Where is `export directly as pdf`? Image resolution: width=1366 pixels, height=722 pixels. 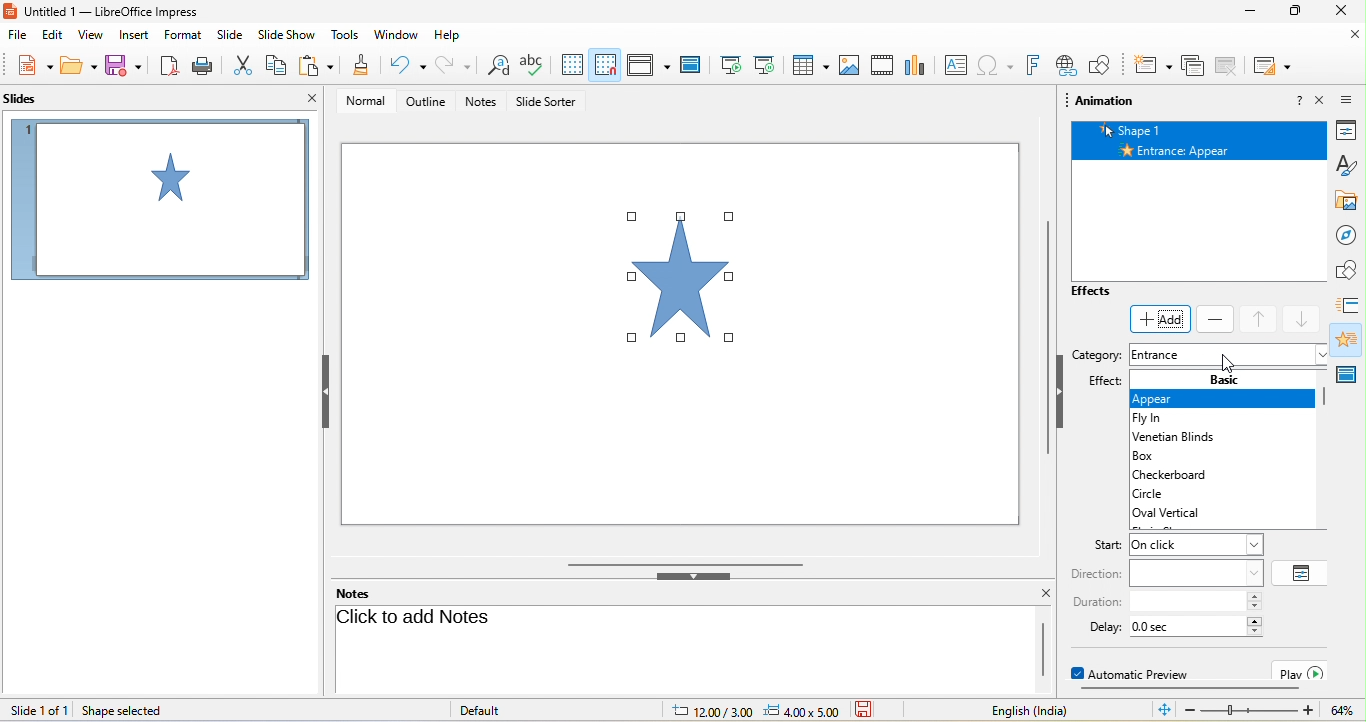
export directly as pdf is located at coordinates (166, 67).